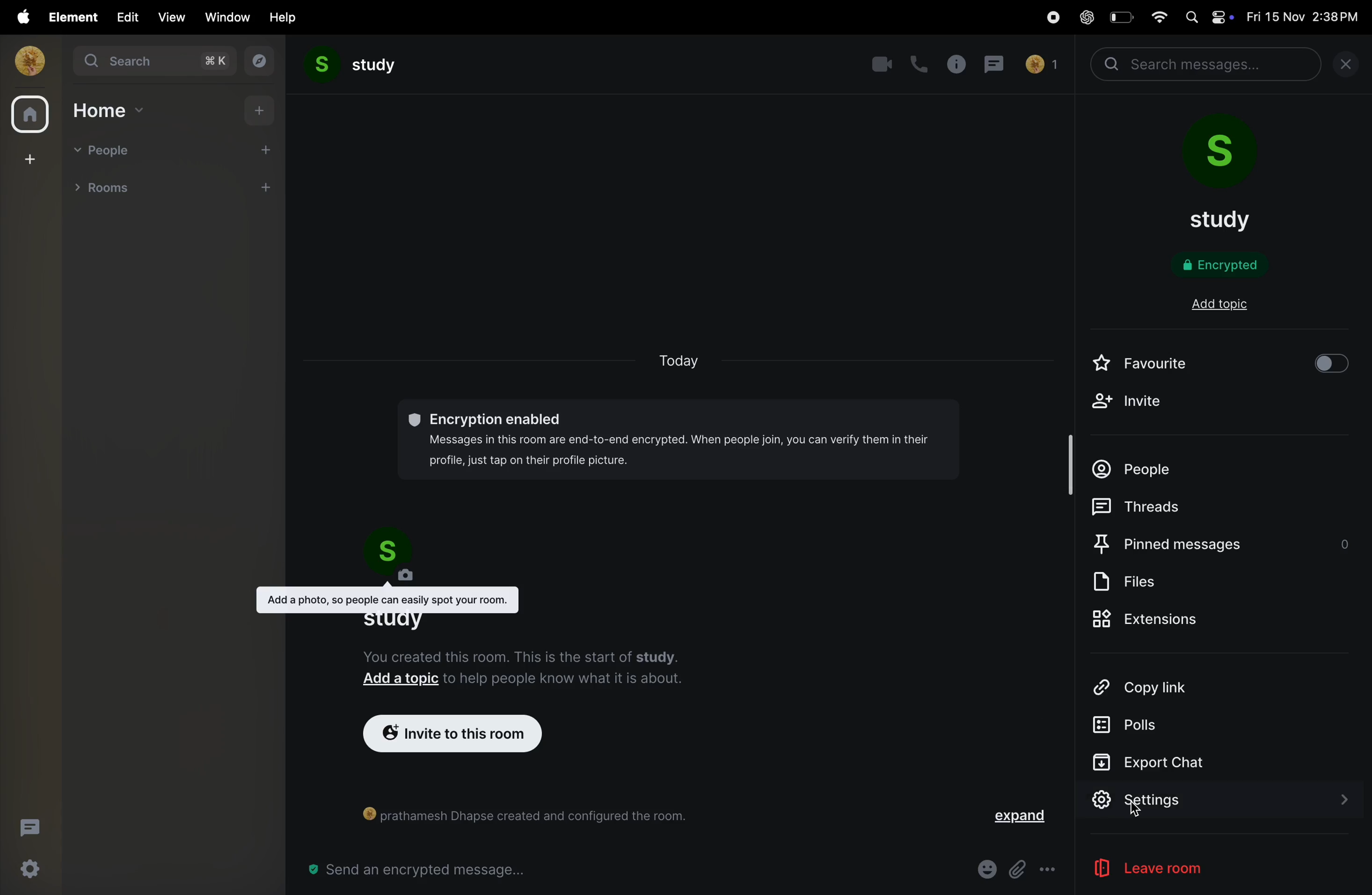 This screenshot has height=895, width=1372. What do you see at coordinates (1215, 801) in the screenshot?
I see `settings` at bounding box center [1215, 801].